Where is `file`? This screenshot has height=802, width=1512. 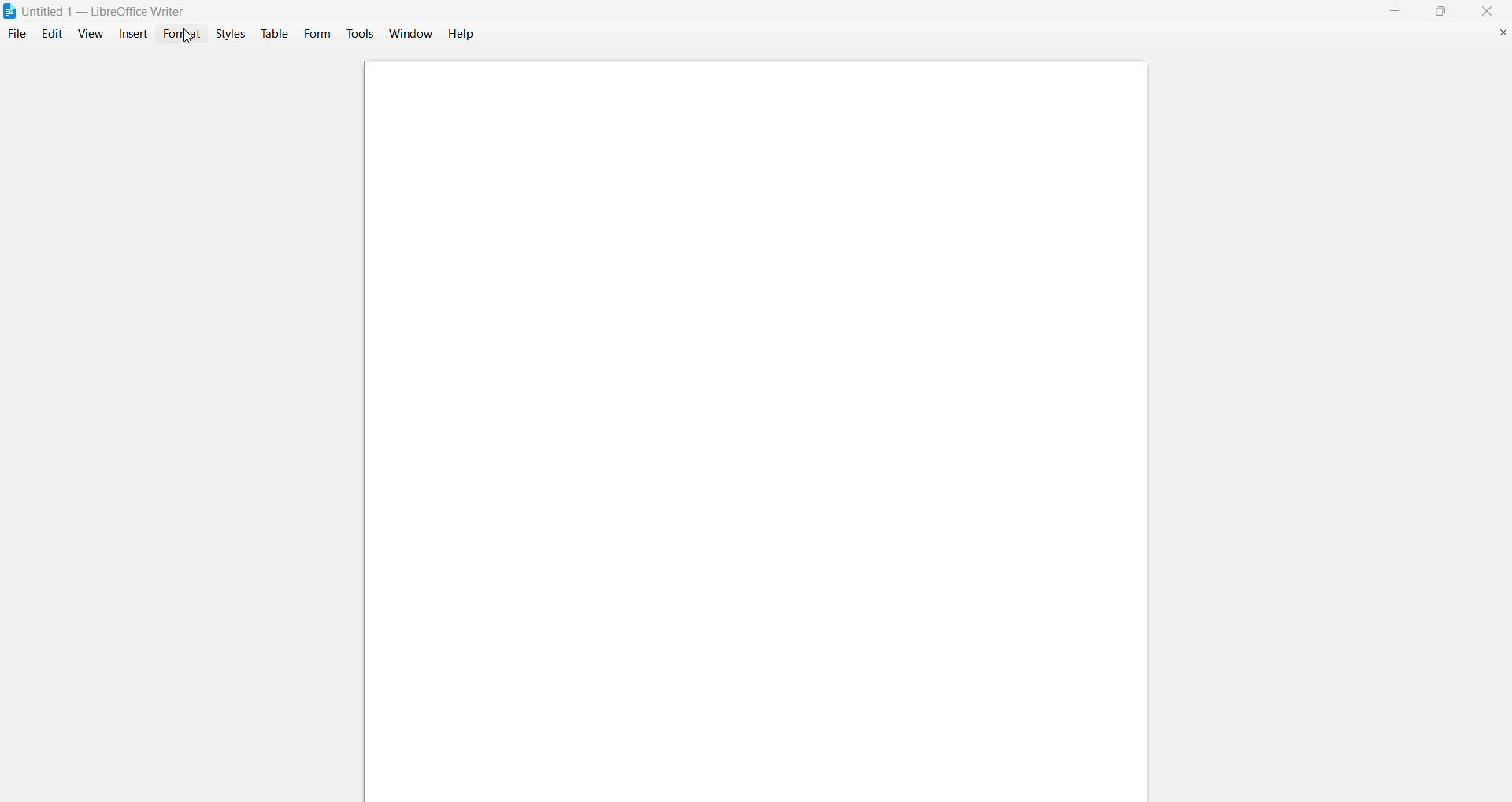
file is located at coordinates (17, 35).